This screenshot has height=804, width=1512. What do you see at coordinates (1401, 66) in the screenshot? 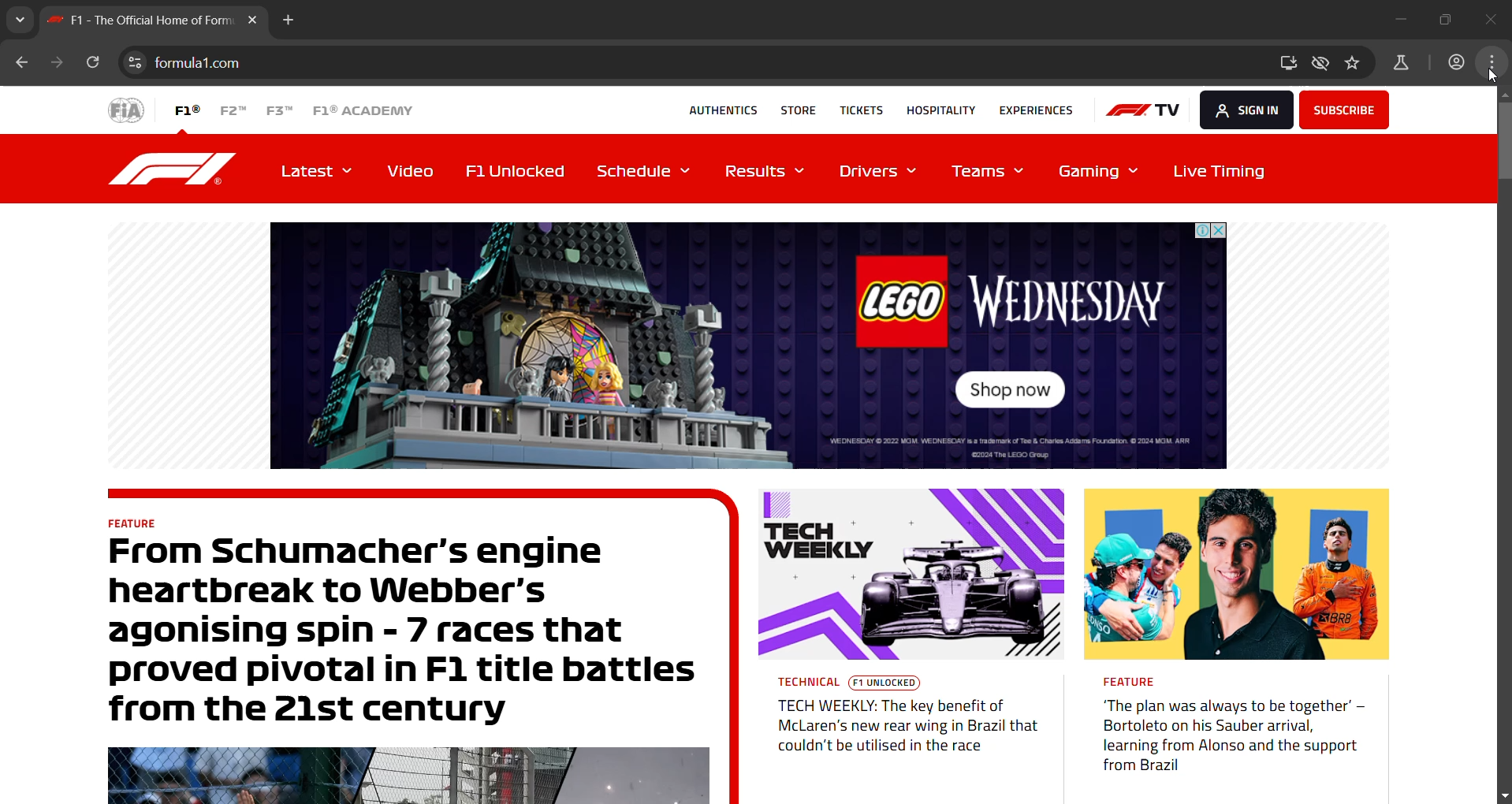
I see `chrome labs` at bounding box center [1401, 66].